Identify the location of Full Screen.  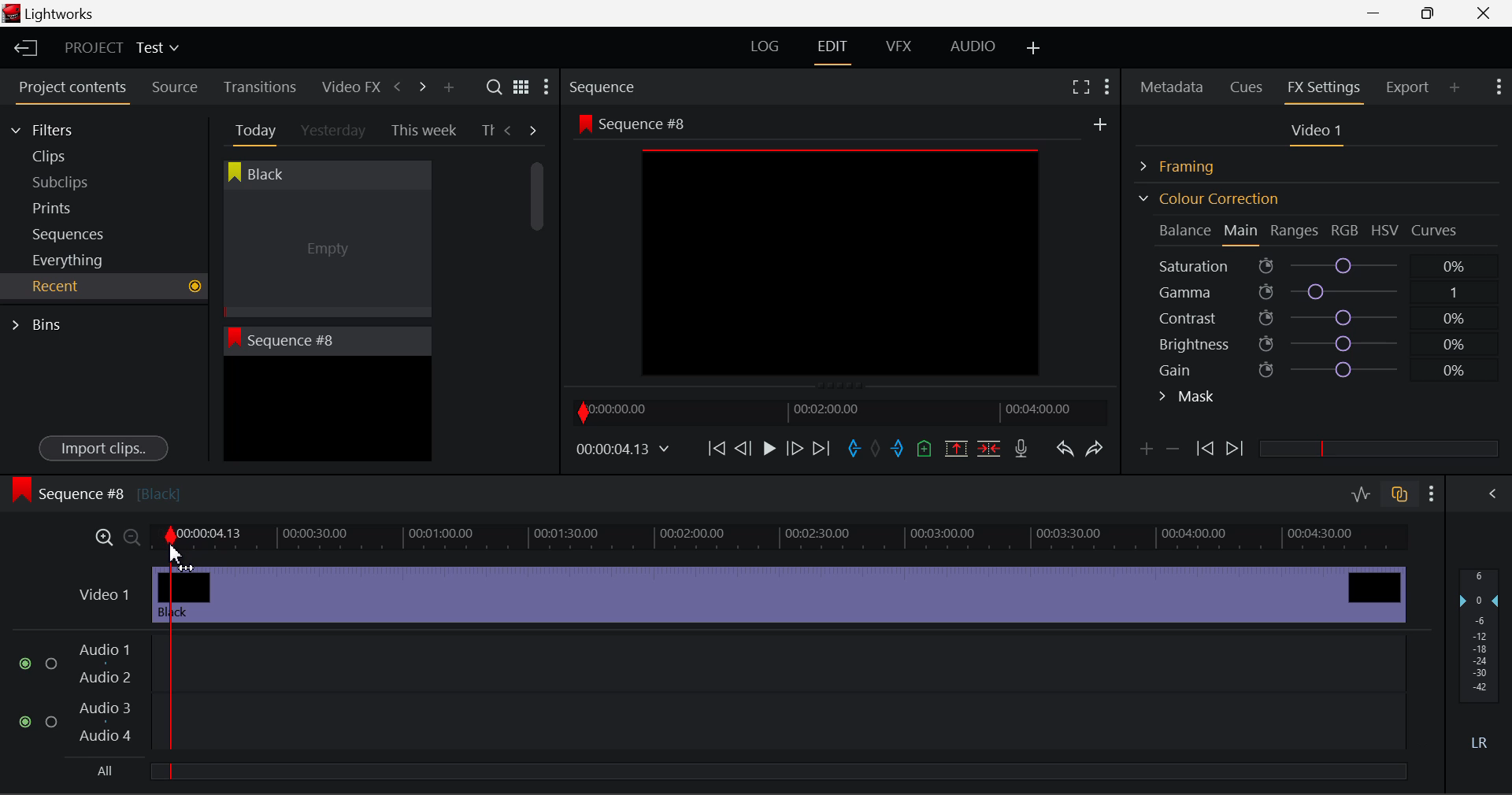
(1080, 86).